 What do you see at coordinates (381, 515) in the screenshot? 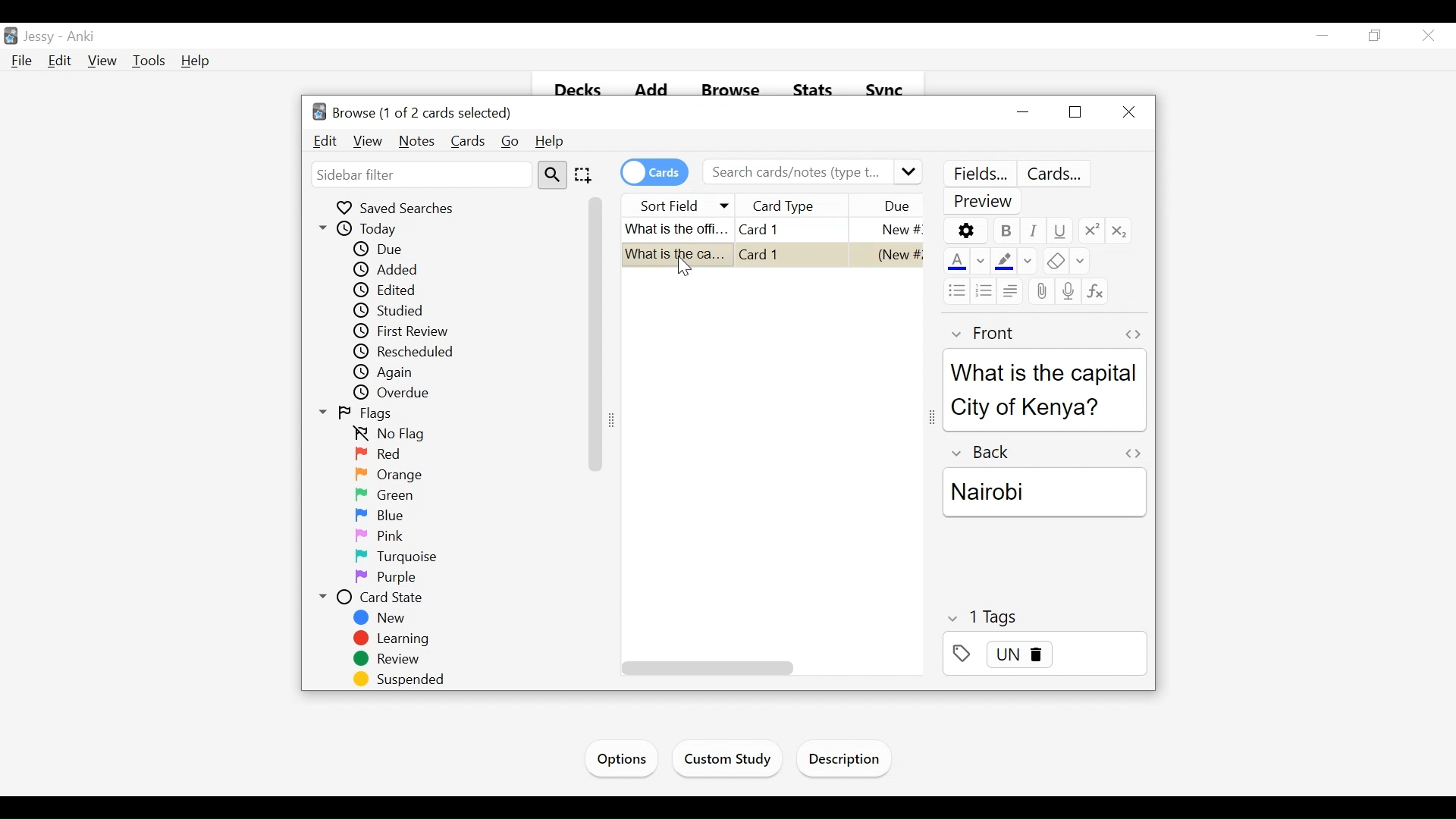
I see `Blue` at bounding box center [381, 515].